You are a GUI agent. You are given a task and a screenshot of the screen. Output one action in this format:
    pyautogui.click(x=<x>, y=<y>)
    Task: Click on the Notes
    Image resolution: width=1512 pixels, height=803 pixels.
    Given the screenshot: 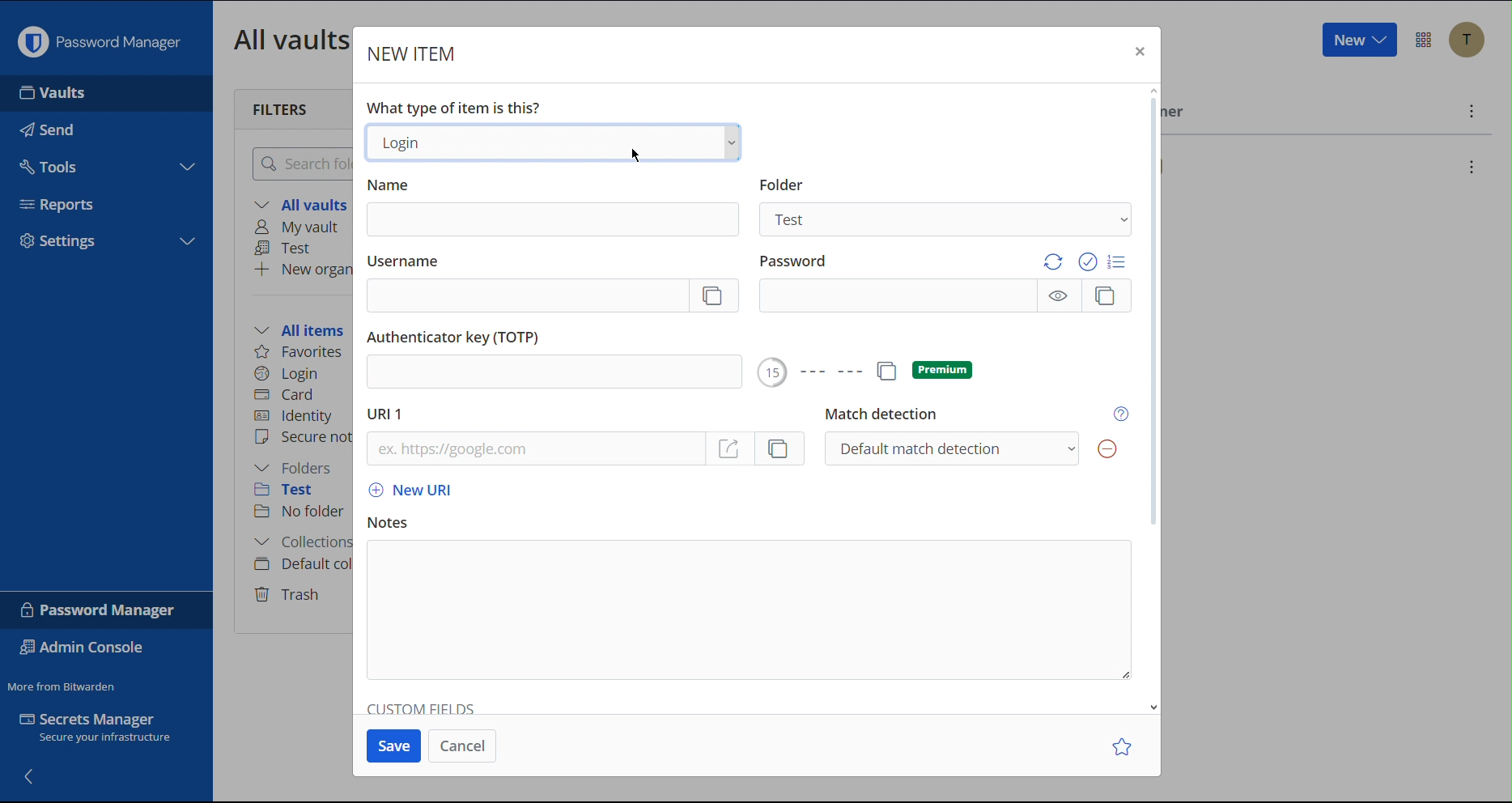 What is the action you would take?
    pyautogui.click(x=749, y=610)
    